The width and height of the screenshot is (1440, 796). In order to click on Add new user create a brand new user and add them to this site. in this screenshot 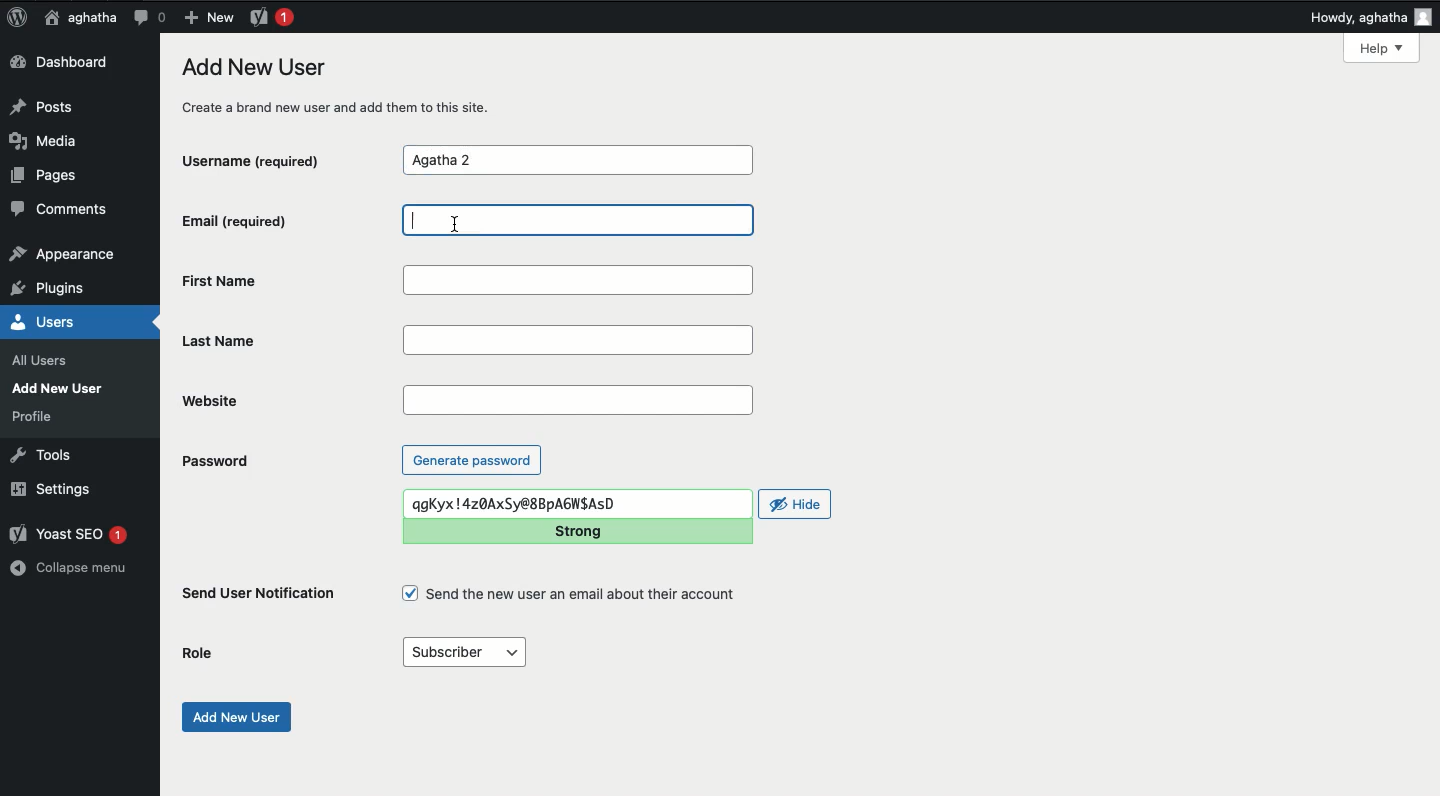, I will do `click(347, 86)`.